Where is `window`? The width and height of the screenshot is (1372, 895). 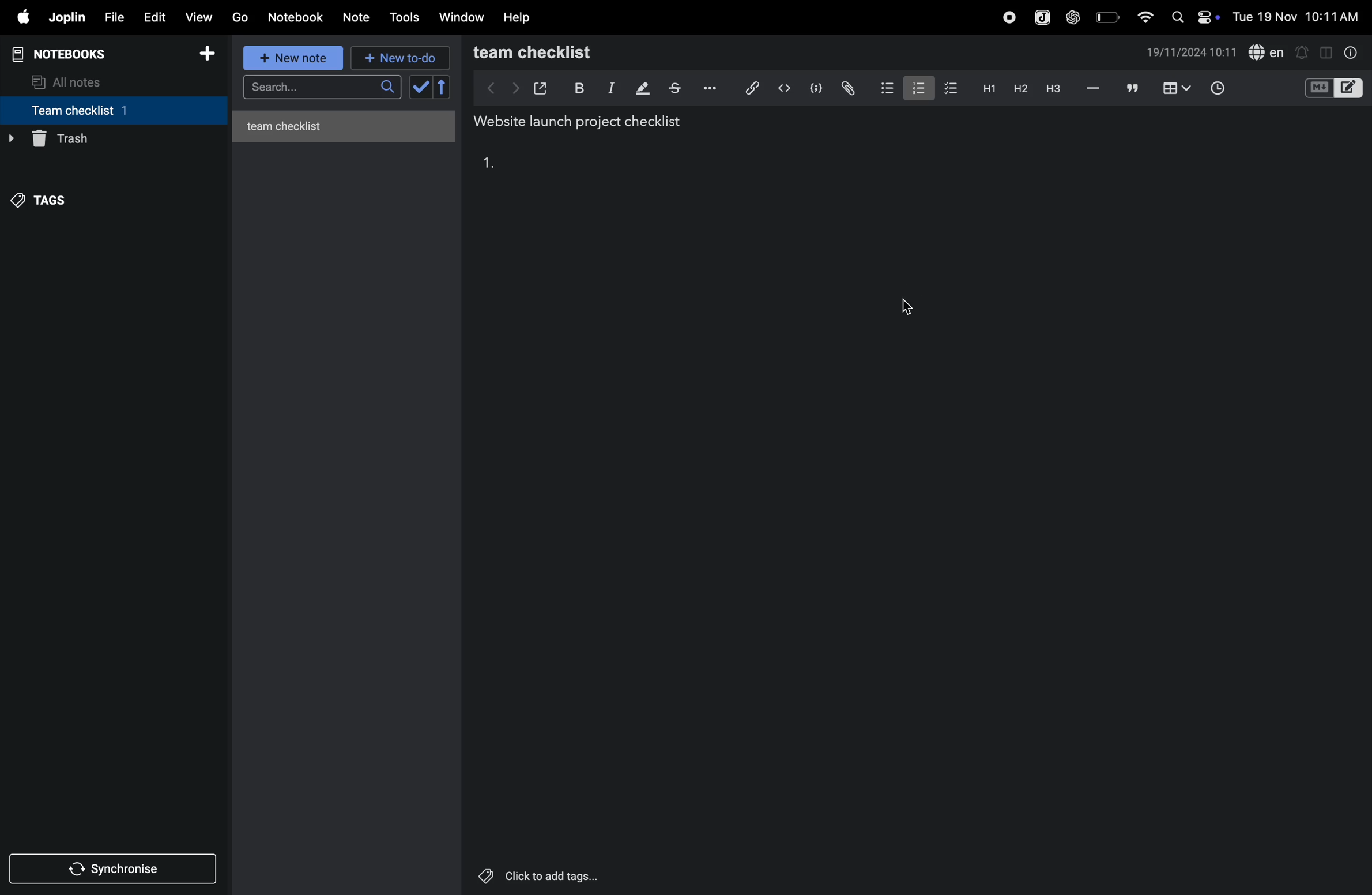 window is located at coordinates (461, 18).